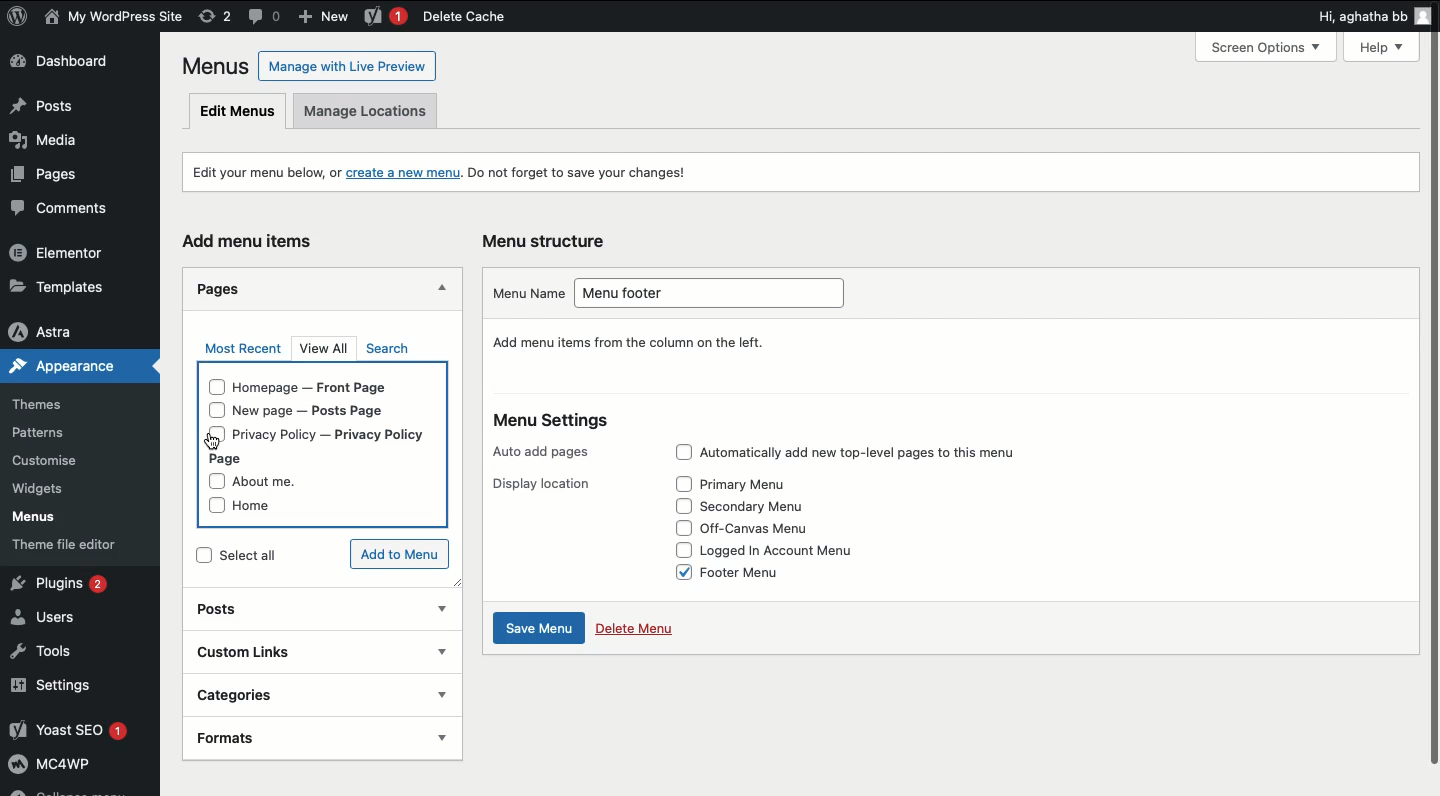  What do you see at coordinates (71, 64) in the screenshot?
I see `Dashboard` at bounding box center [71, 64].